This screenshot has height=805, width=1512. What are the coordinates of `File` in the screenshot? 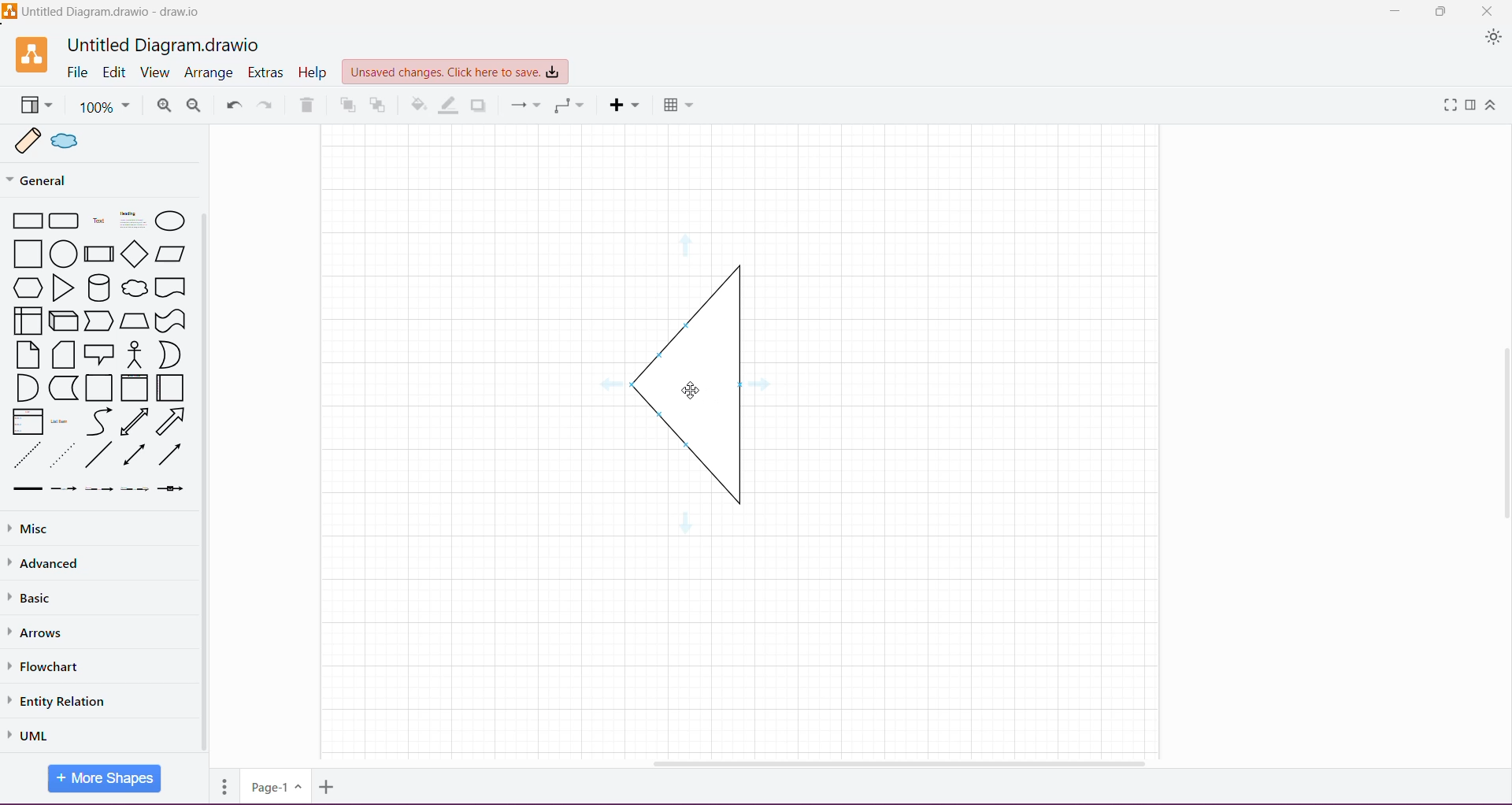 It's located at (77, 72).